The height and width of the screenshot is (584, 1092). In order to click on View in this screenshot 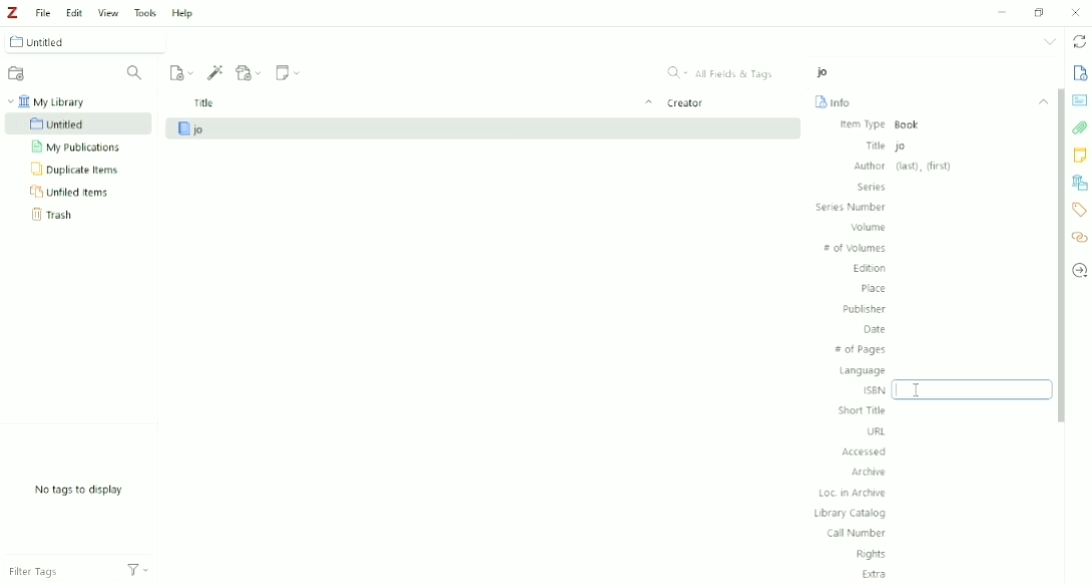, I will do `click(107, 14)`.